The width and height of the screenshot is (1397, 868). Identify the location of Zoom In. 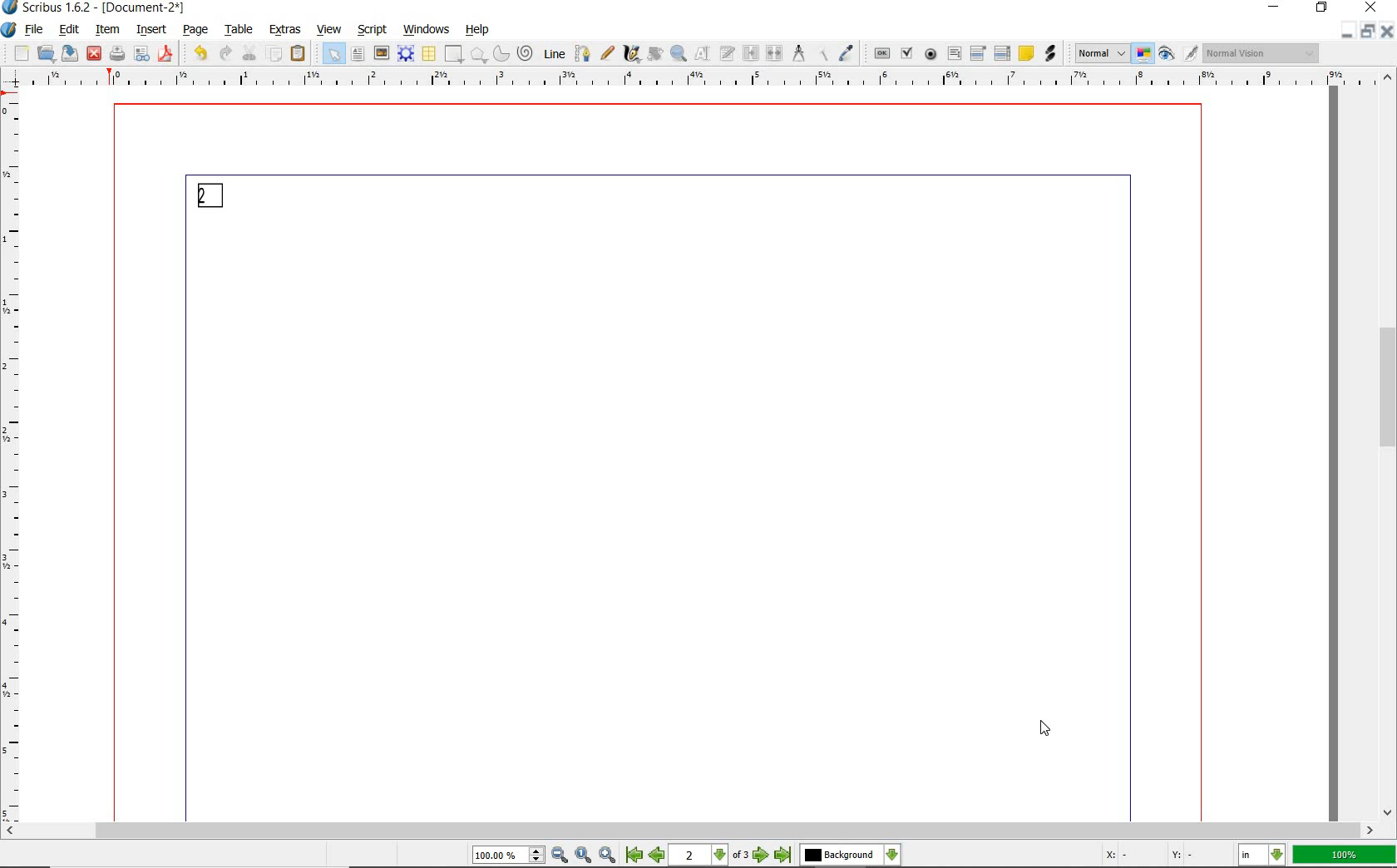
(609, 856).